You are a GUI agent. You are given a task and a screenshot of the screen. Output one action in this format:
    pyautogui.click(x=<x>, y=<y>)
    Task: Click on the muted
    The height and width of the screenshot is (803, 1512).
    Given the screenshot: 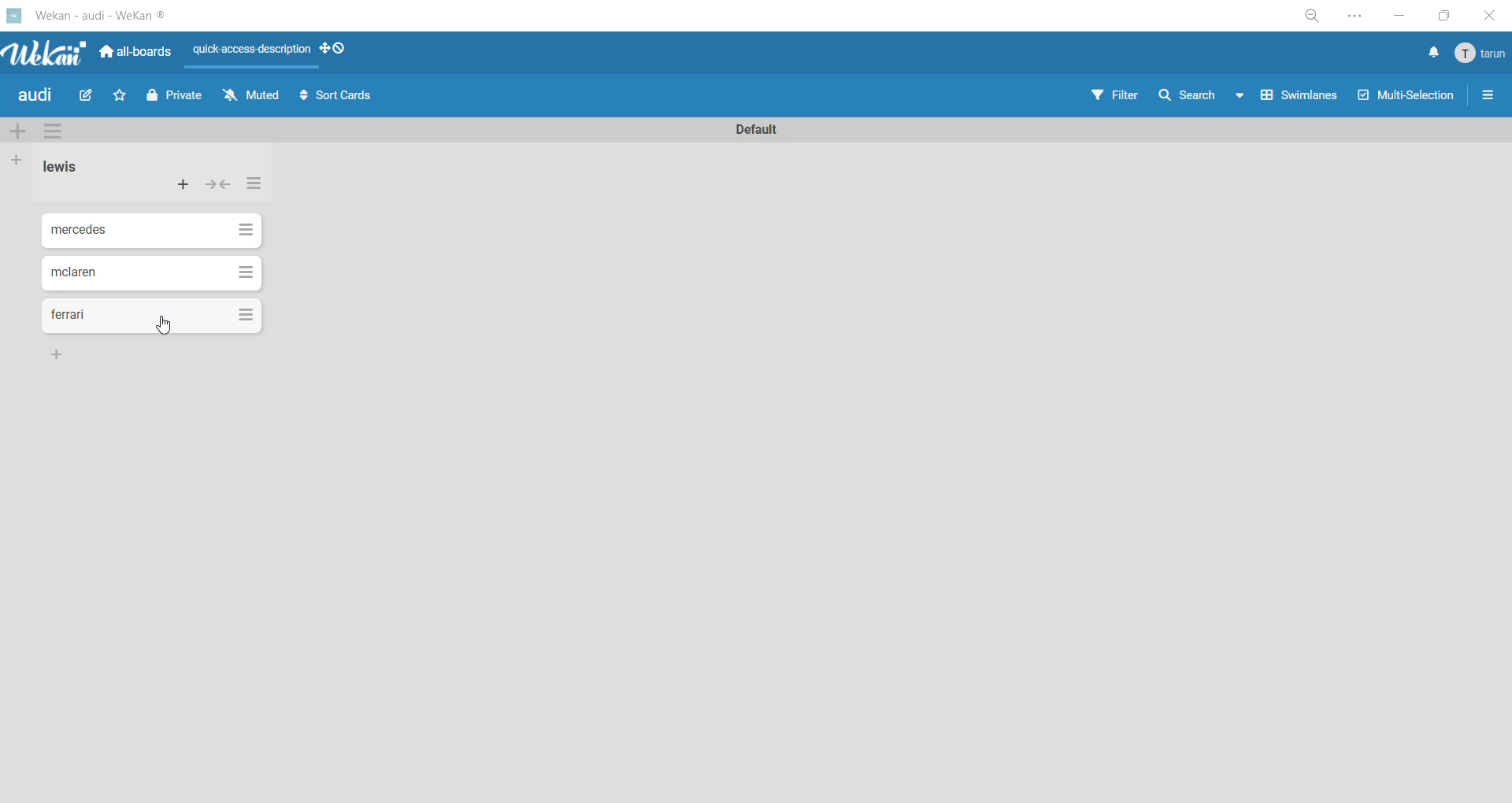 What is the action you would take?
    pyautogui.click(x=251, y=94)
    